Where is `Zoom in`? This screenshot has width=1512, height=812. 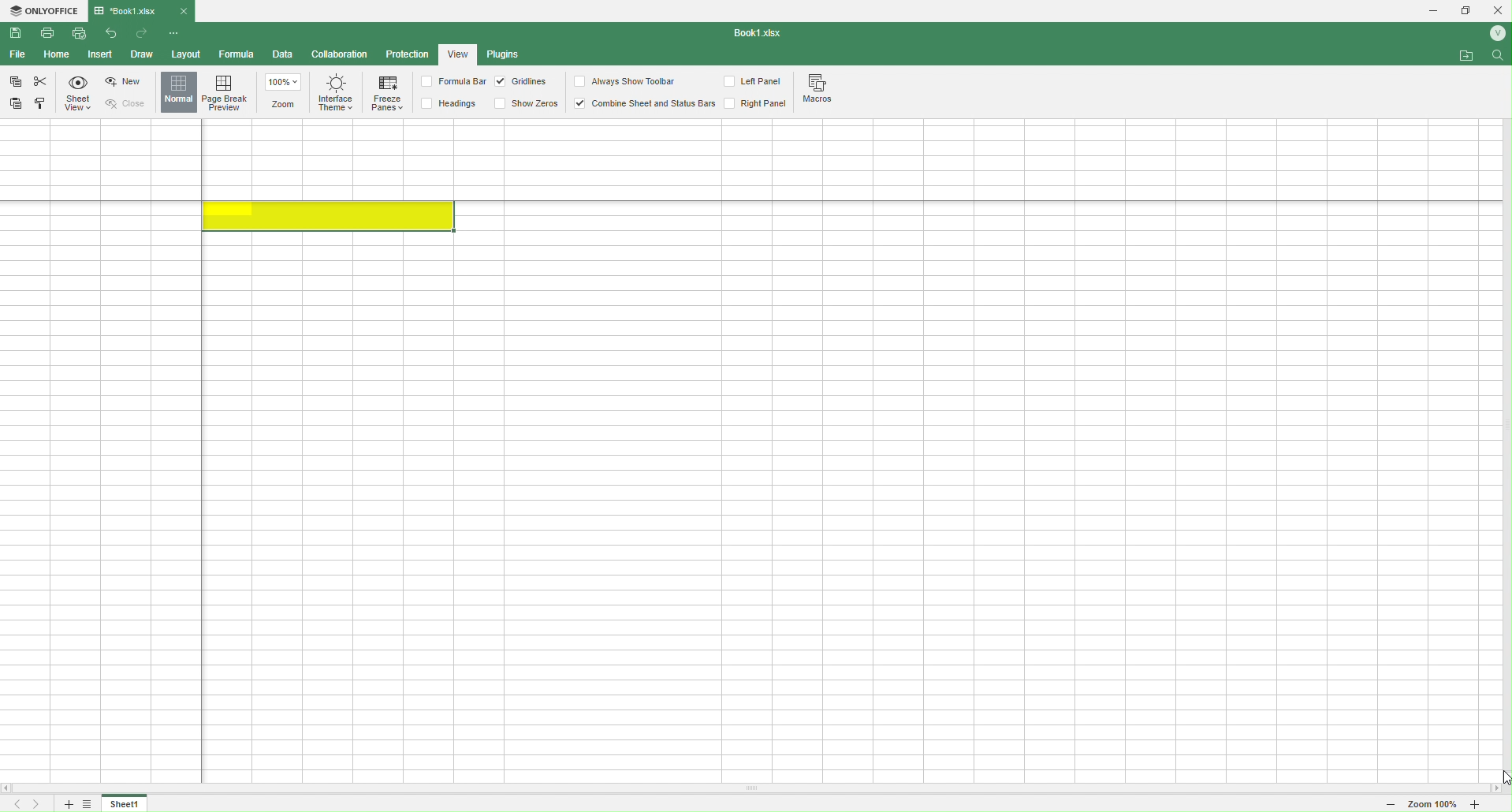 Zoom in is located at coordinates (1489, 806).